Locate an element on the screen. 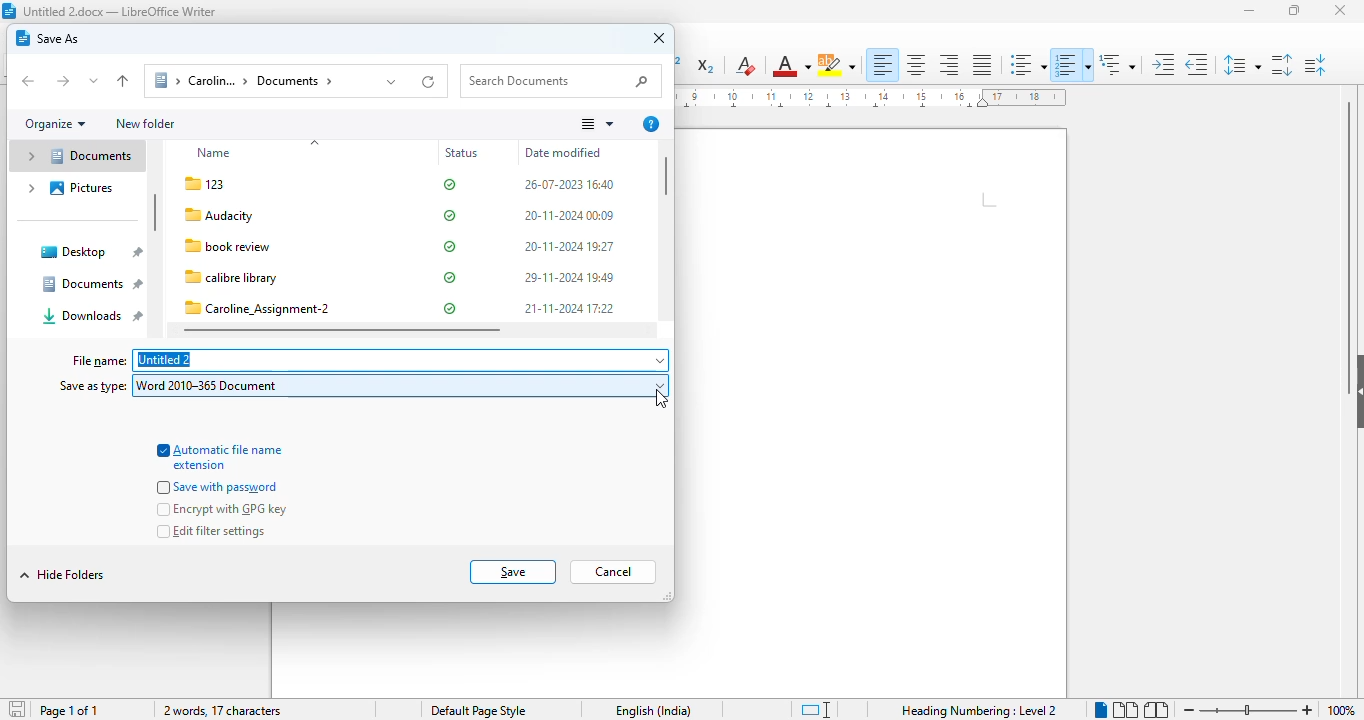 The width and height of the screenshot is (1364, 720). logo is located at coordinates (9, 11).